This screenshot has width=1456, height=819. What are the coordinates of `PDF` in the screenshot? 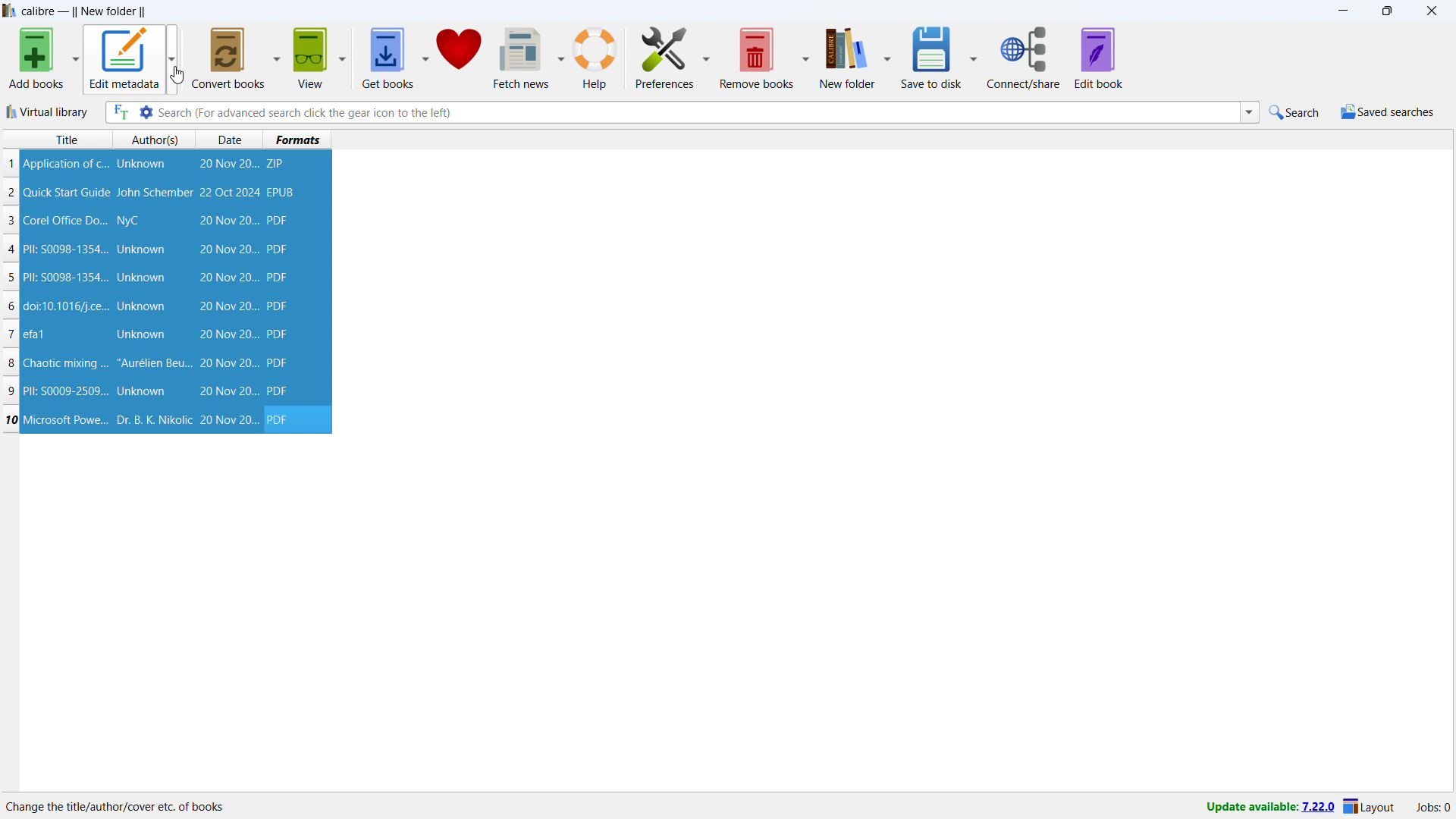 It's located at (279, 362).